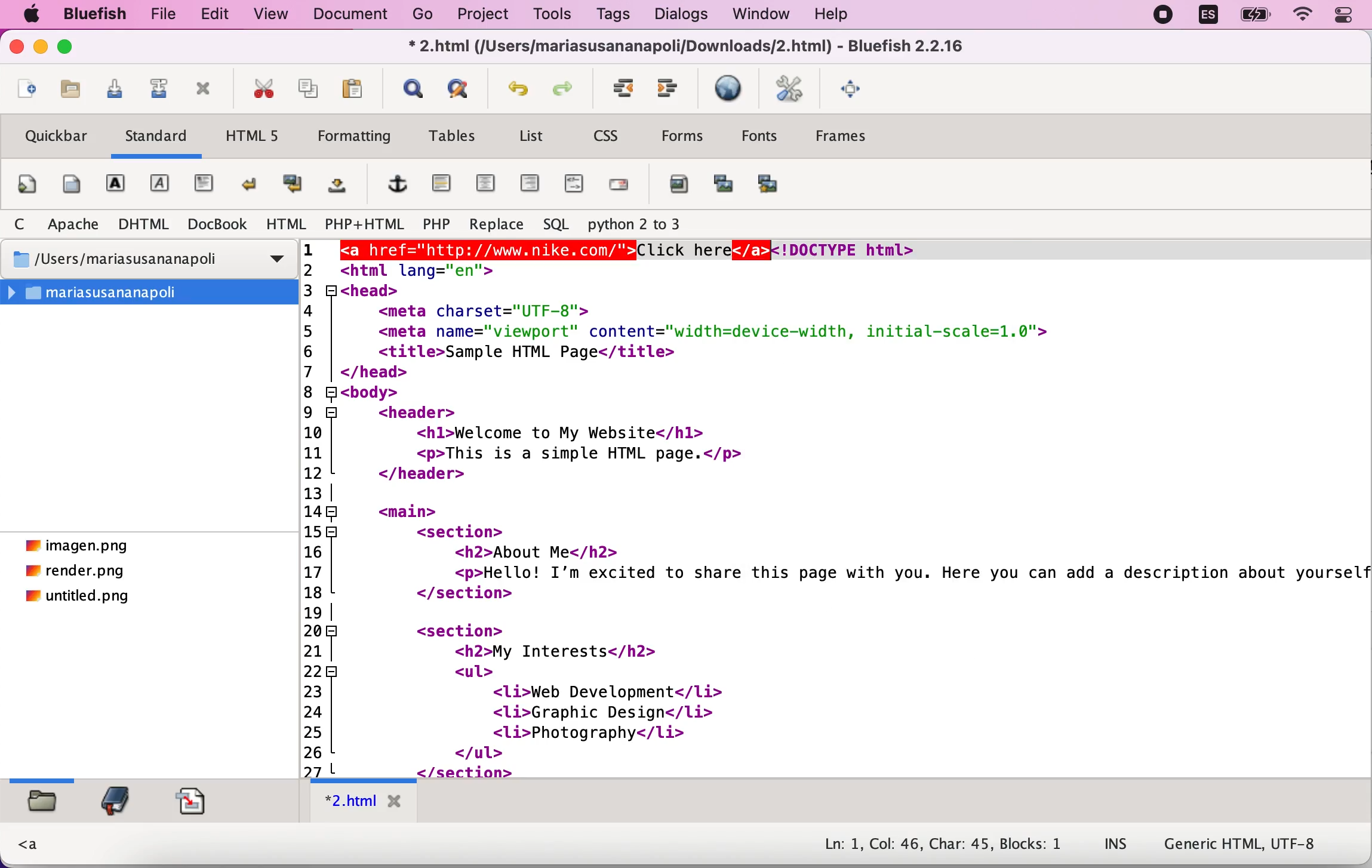 This screenshot has width=1372, height=868. Describe the element at coordinates (622, 190) in the screenshot. I see `email` at that location.